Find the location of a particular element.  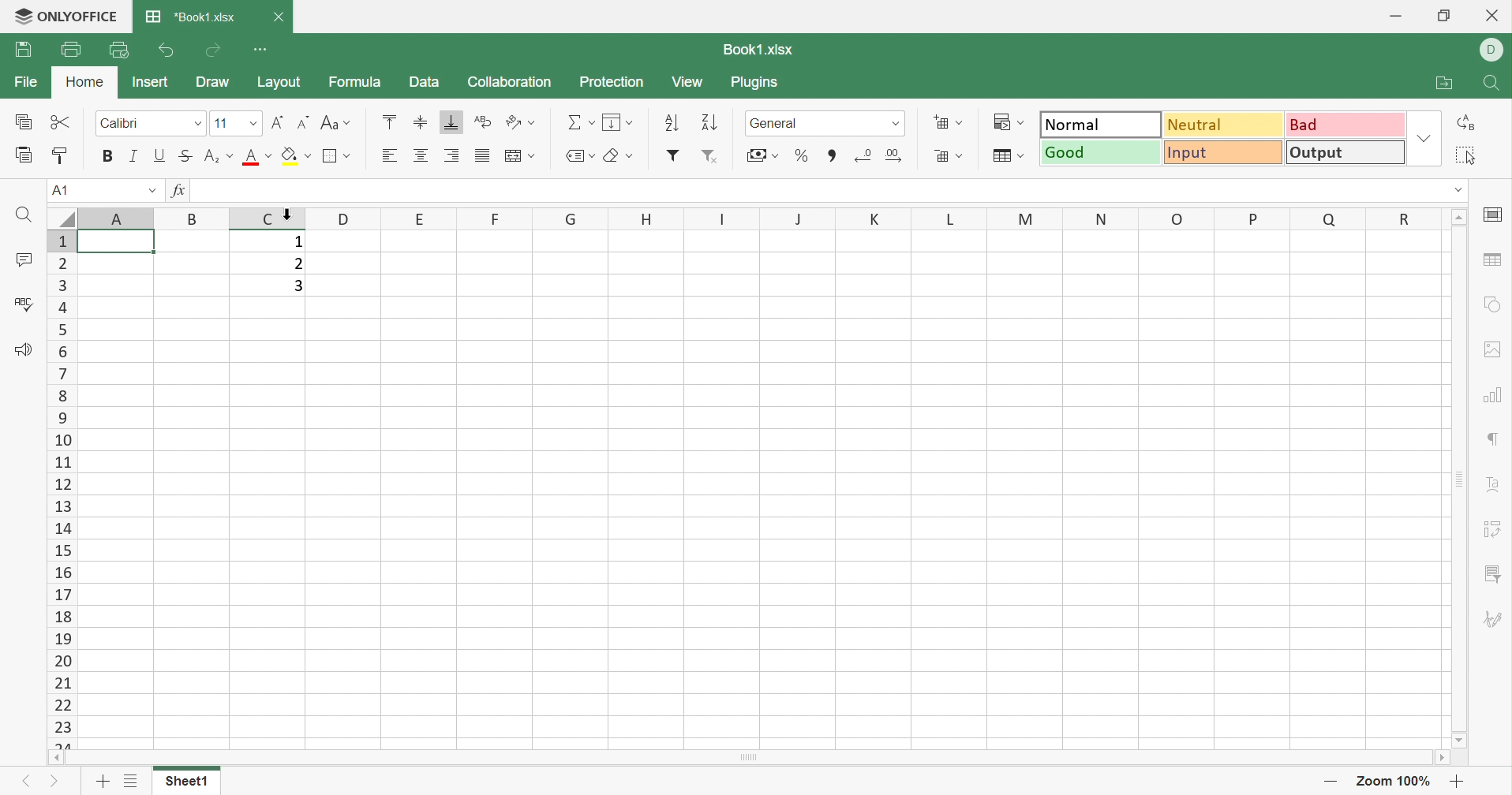

Merge and center is located at coordinates (513, 157).